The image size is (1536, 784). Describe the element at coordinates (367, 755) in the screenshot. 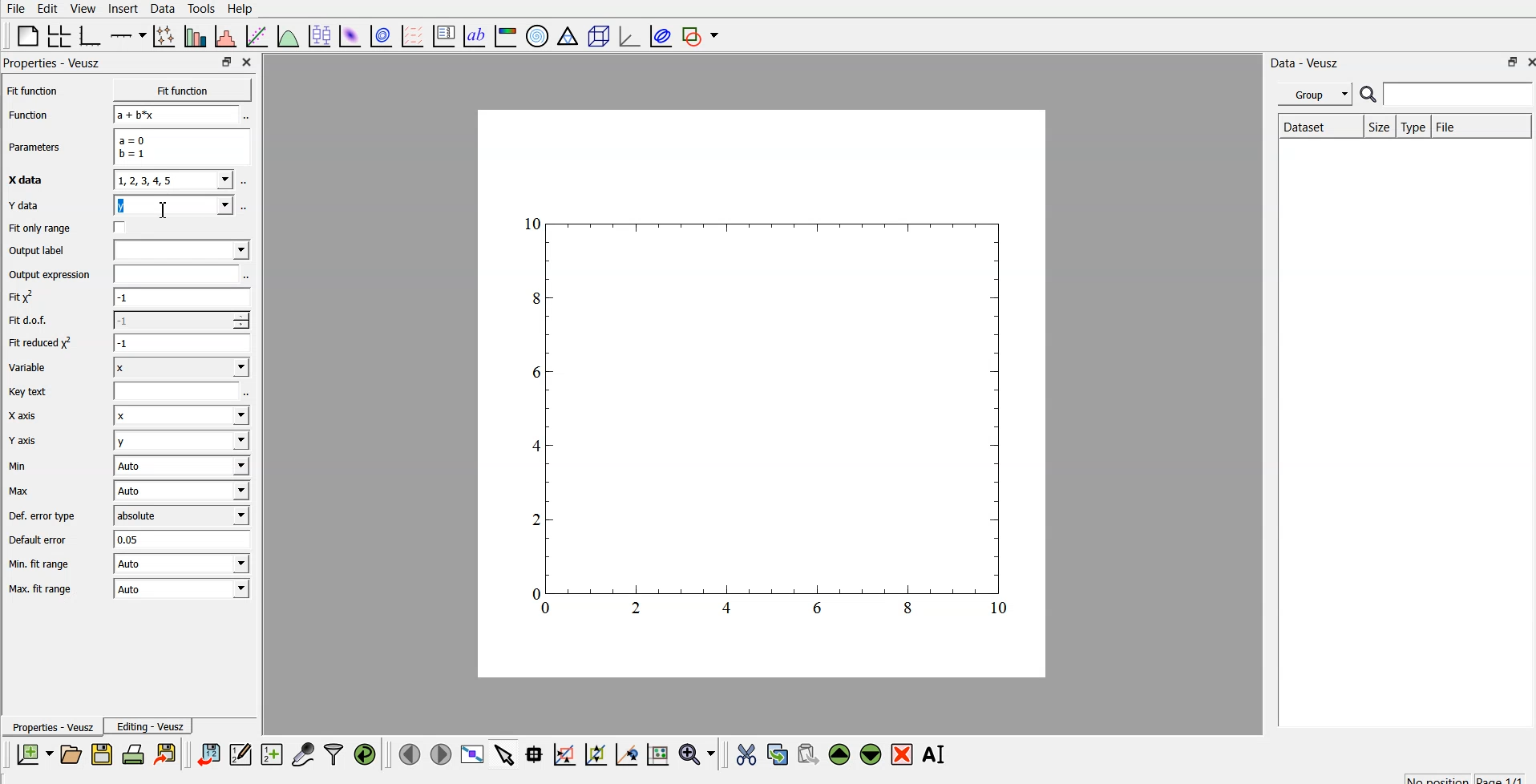

I see `reload linked data sets` at that location.